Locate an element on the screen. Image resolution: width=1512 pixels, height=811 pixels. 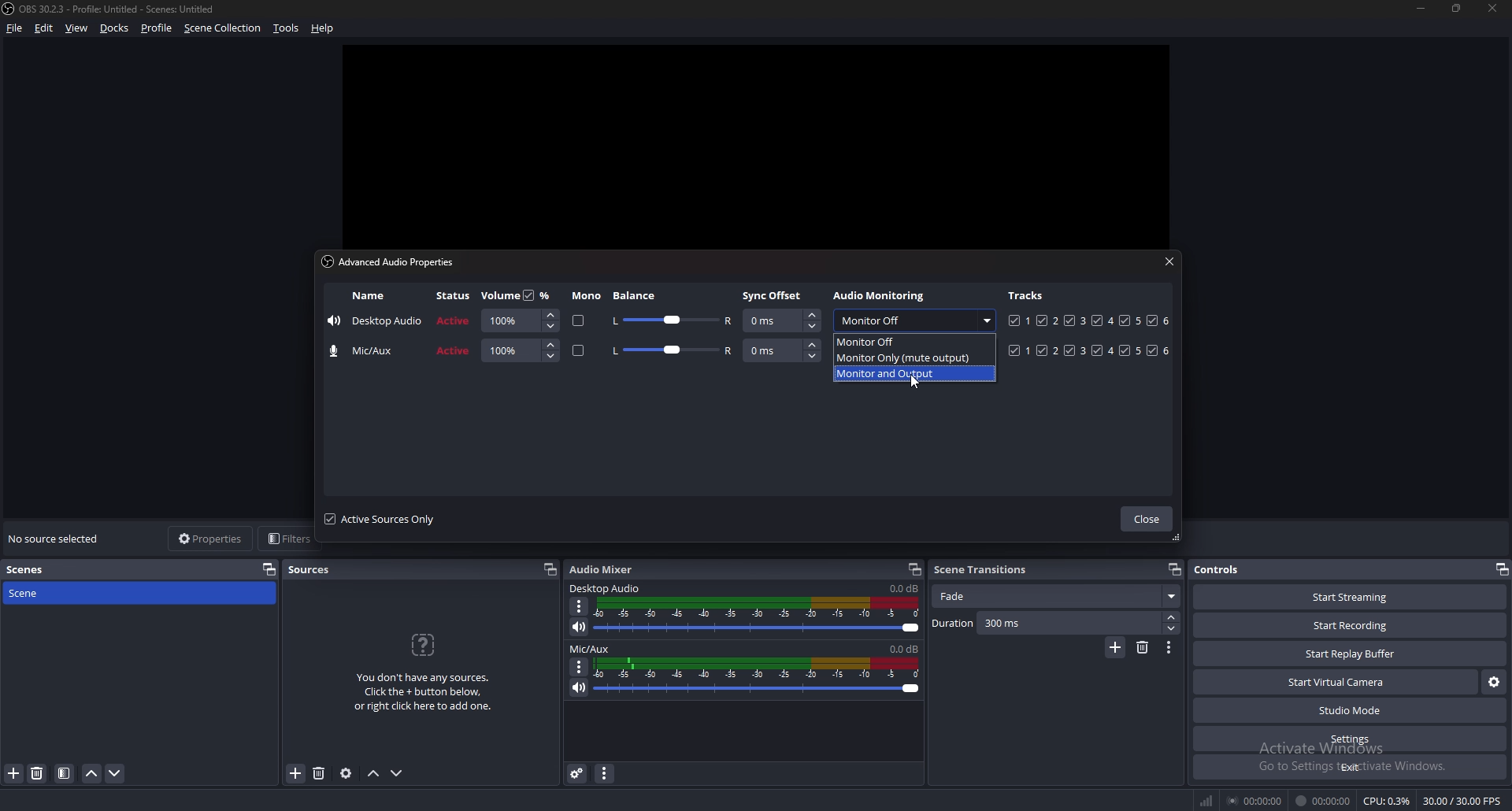
edit is located at coordinates (46, 28).